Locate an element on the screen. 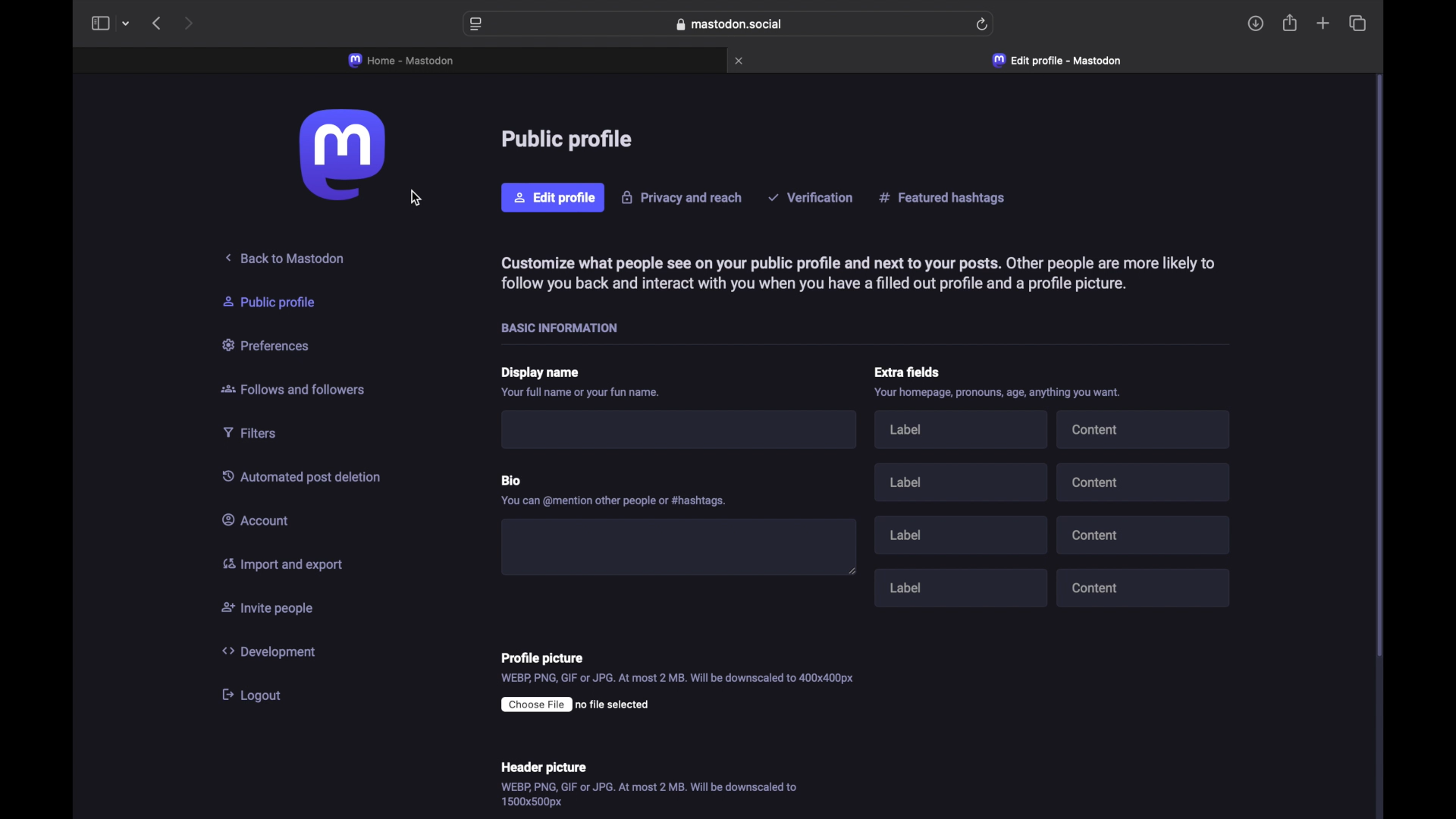 This screenshot has width=1456, height=819. label is located at coordinates (960, 428).